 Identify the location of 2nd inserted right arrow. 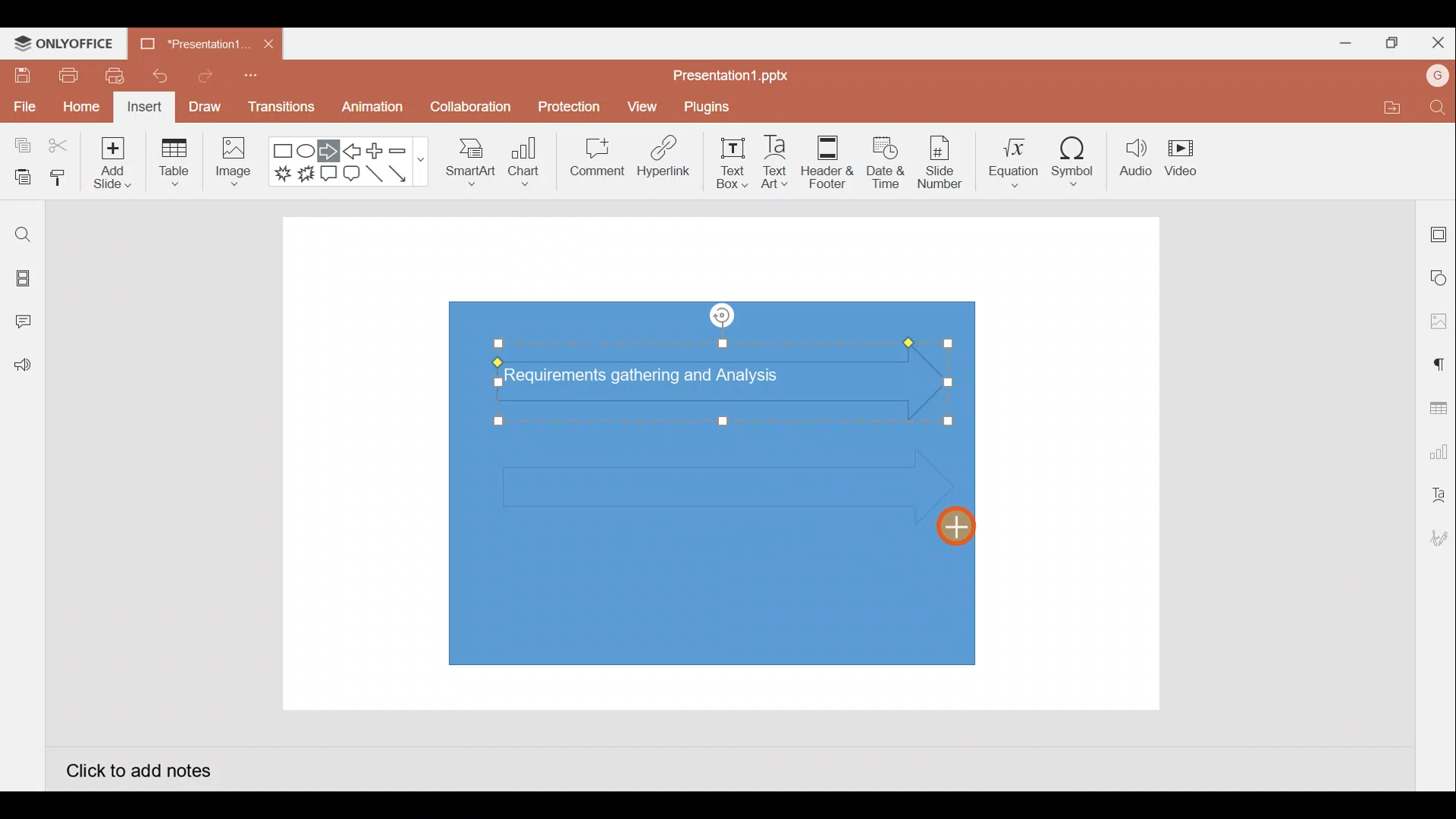
(705, 485).